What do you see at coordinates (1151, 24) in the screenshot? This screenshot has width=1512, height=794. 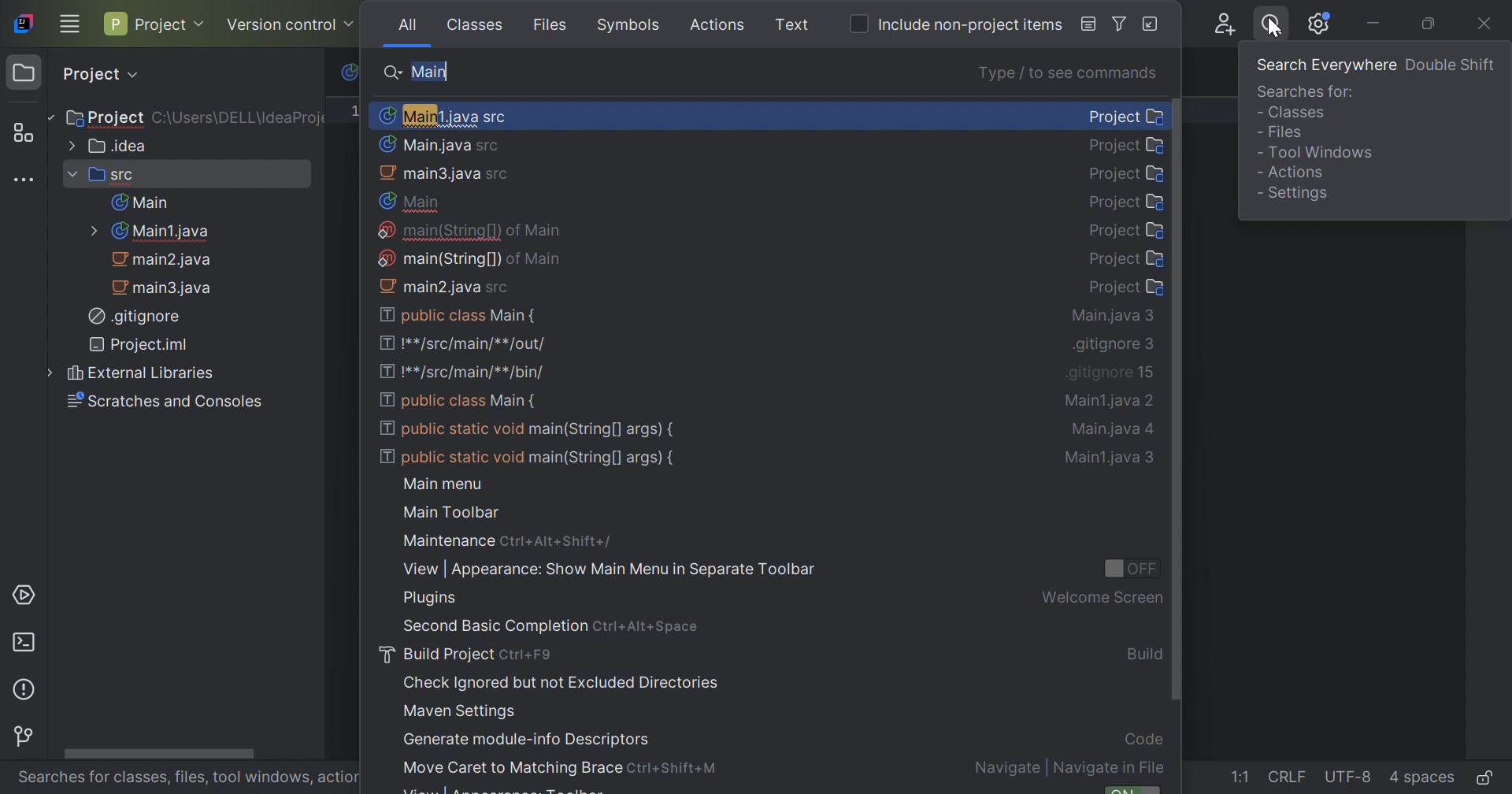 I see `Open in find tool window` at bounding box center [1151, 24].